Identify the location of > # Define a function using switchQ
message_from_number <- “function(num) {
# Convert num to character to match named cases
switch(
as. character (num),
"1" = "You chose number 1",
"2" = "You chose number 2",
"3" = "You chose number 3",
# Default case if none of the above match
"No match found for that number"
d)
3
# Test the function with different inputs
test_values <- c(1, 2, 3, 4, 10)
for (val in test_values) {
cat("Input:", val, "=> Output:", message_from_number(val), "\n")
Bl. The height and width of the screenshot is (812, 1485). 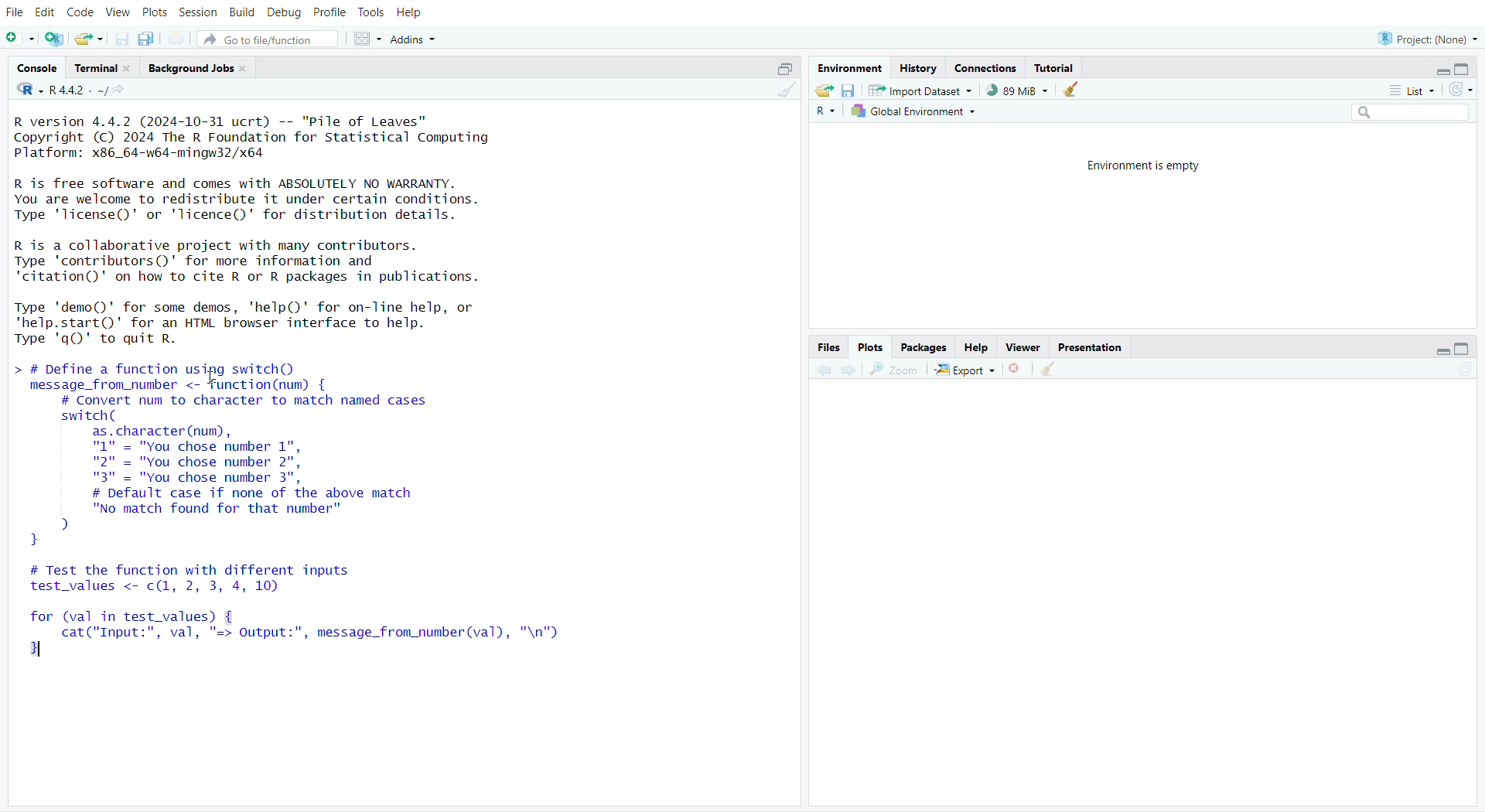
(304, 521).